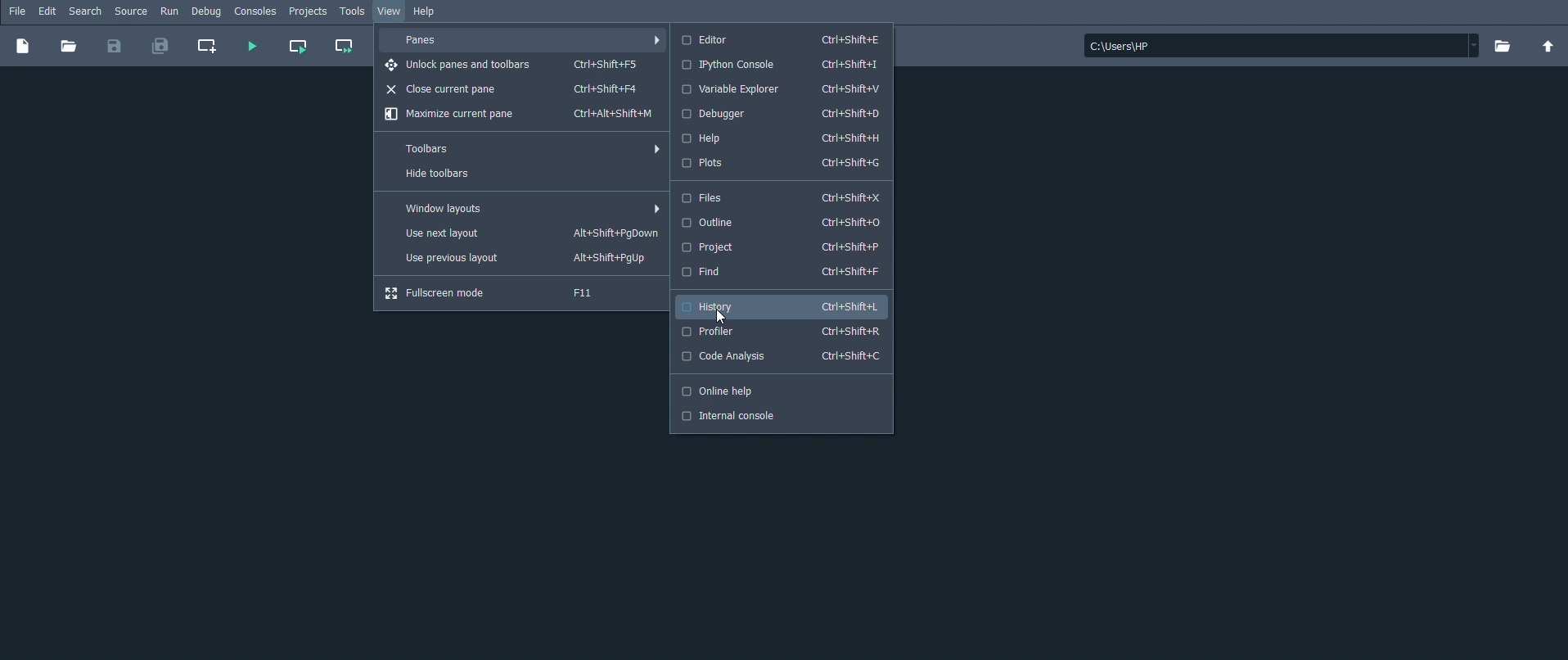 The width and height of the screenshot is (1568, 660). What do you see at coordinates (525, 66) in the screenshot?
I see `Unlock panes and toolbars` at bounding box center [525, 66].